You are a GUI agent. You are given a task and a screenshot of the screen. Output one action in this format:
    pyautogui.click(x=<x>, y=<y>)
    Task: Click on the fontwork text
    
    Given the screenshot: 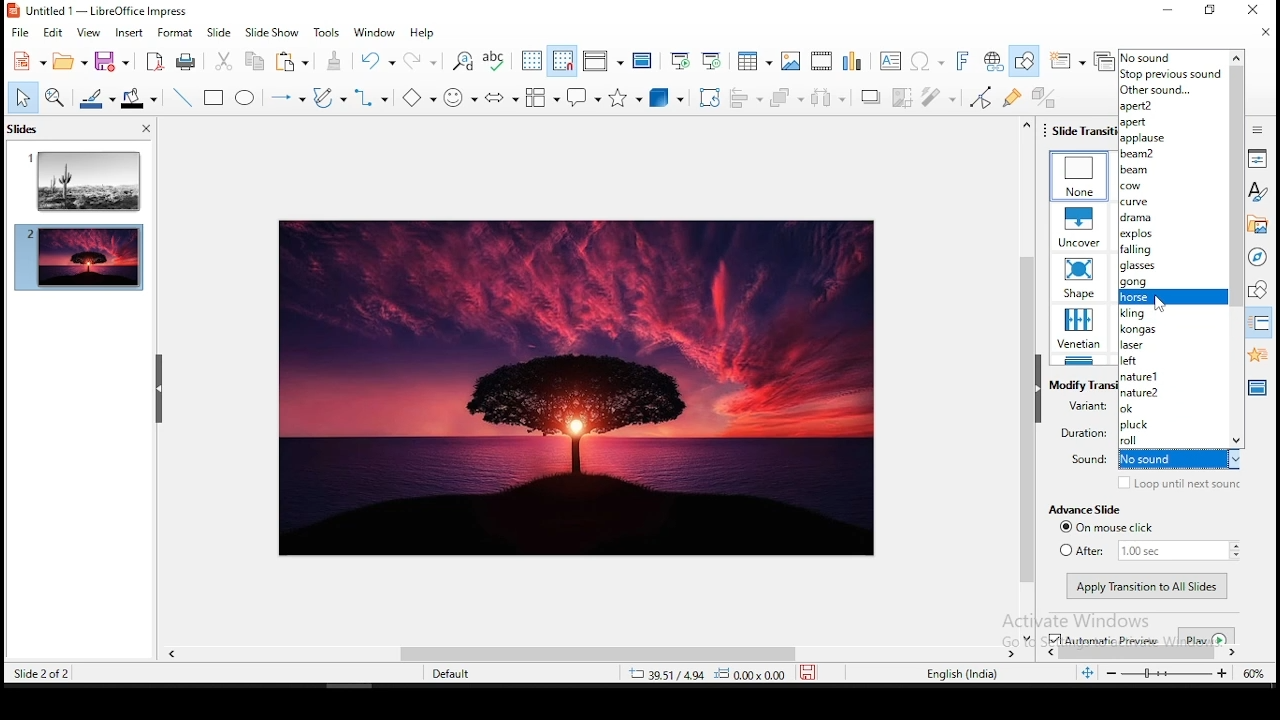 What is the action you would take?
    pyautogui.click(x=961, y=62)
    